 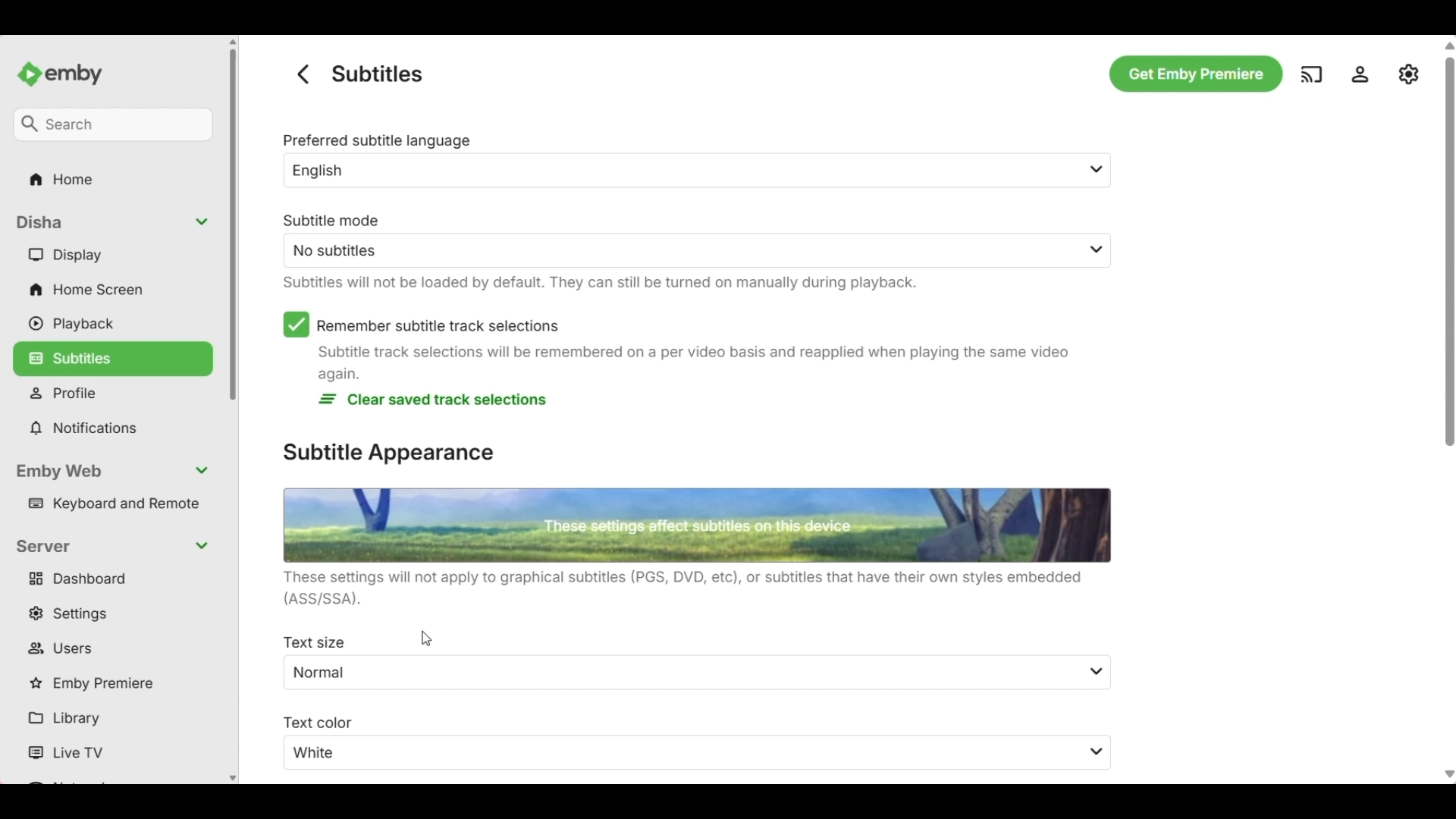 I want to click on Vertical slide bar for left panel, so click(x=233, y=224).